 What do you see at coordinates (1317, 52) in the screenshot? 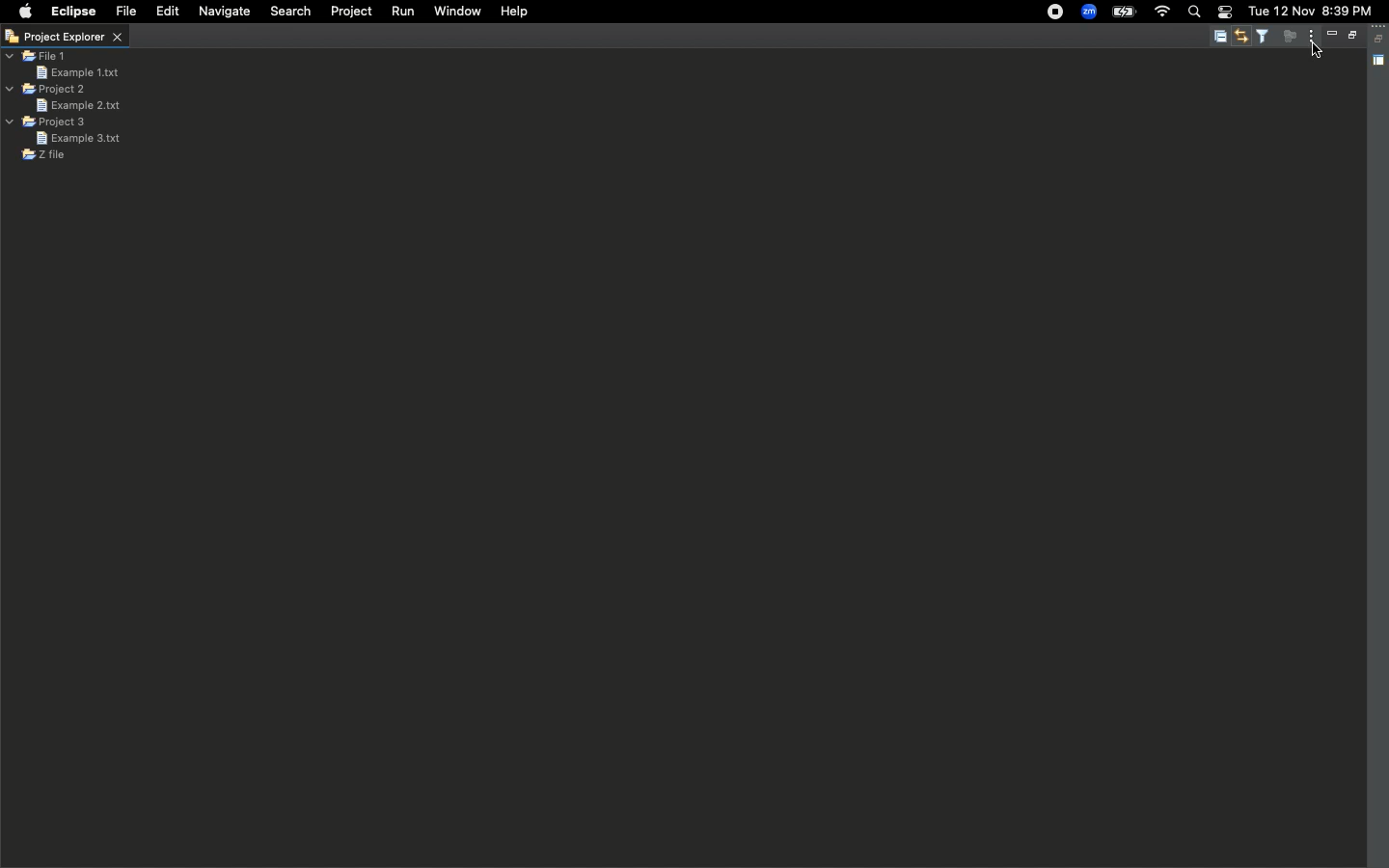
I see `Clicking on view menu` at bounding box center [1317, 52].